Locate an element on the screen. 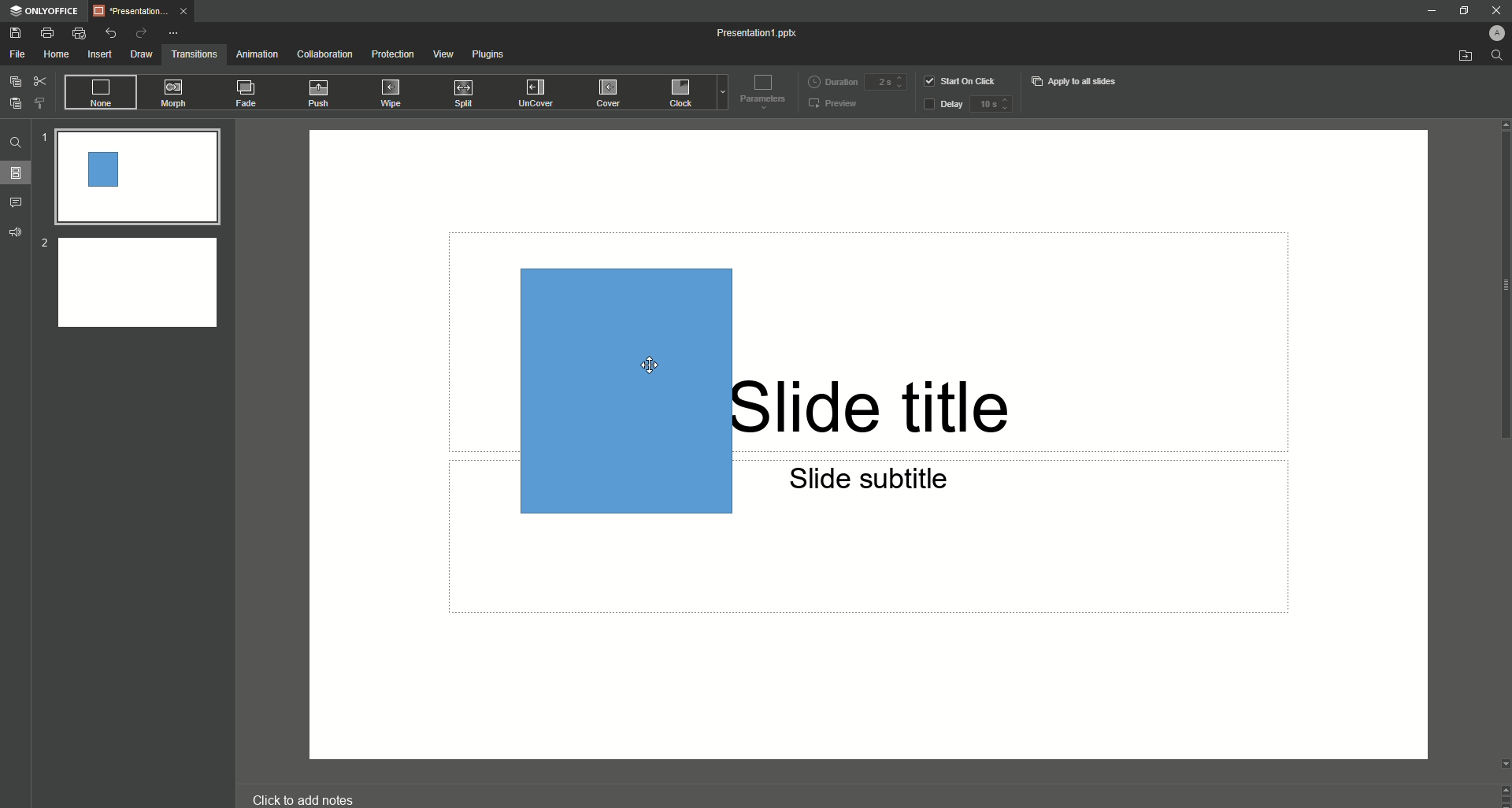 This screenshot has height=808, width=1512. move up is located at coordinates (1503, 124).